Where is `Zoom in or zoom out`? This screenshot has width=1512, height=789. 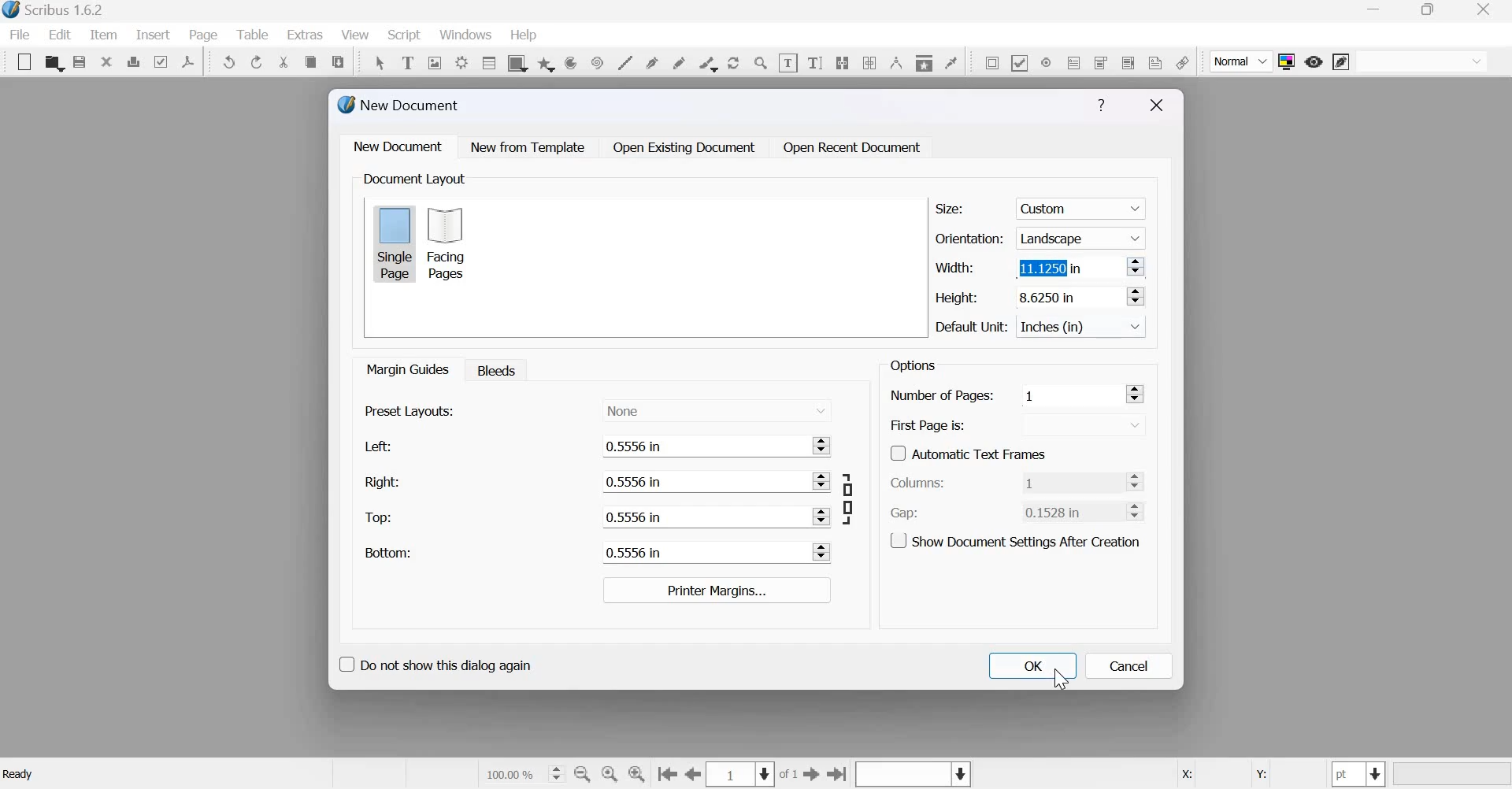 Zoom in or zoom out is located at coordinates (761, 62).